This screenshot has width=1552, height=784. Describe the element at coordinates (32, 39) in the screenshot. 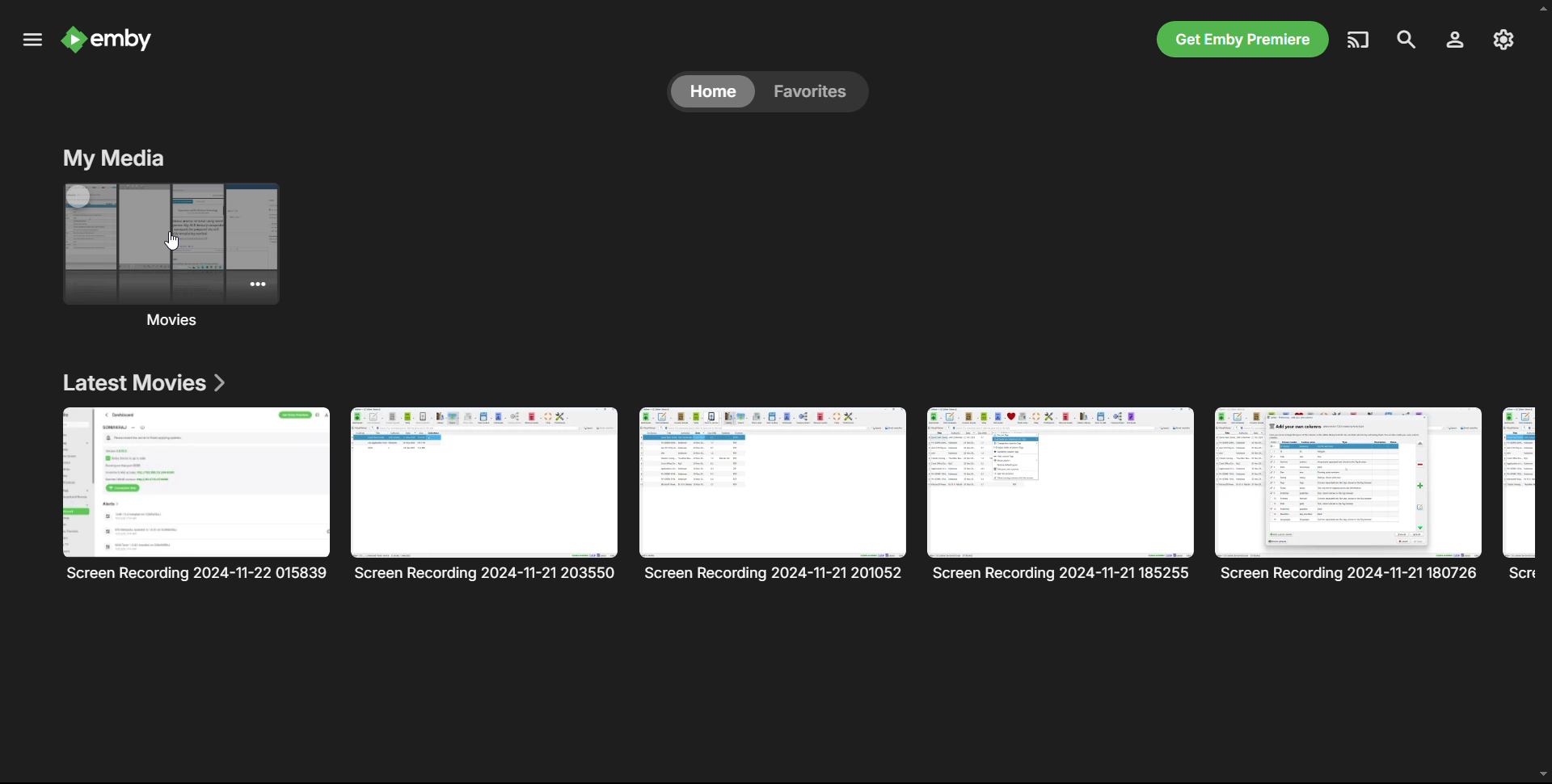

I see `menu` at that location.